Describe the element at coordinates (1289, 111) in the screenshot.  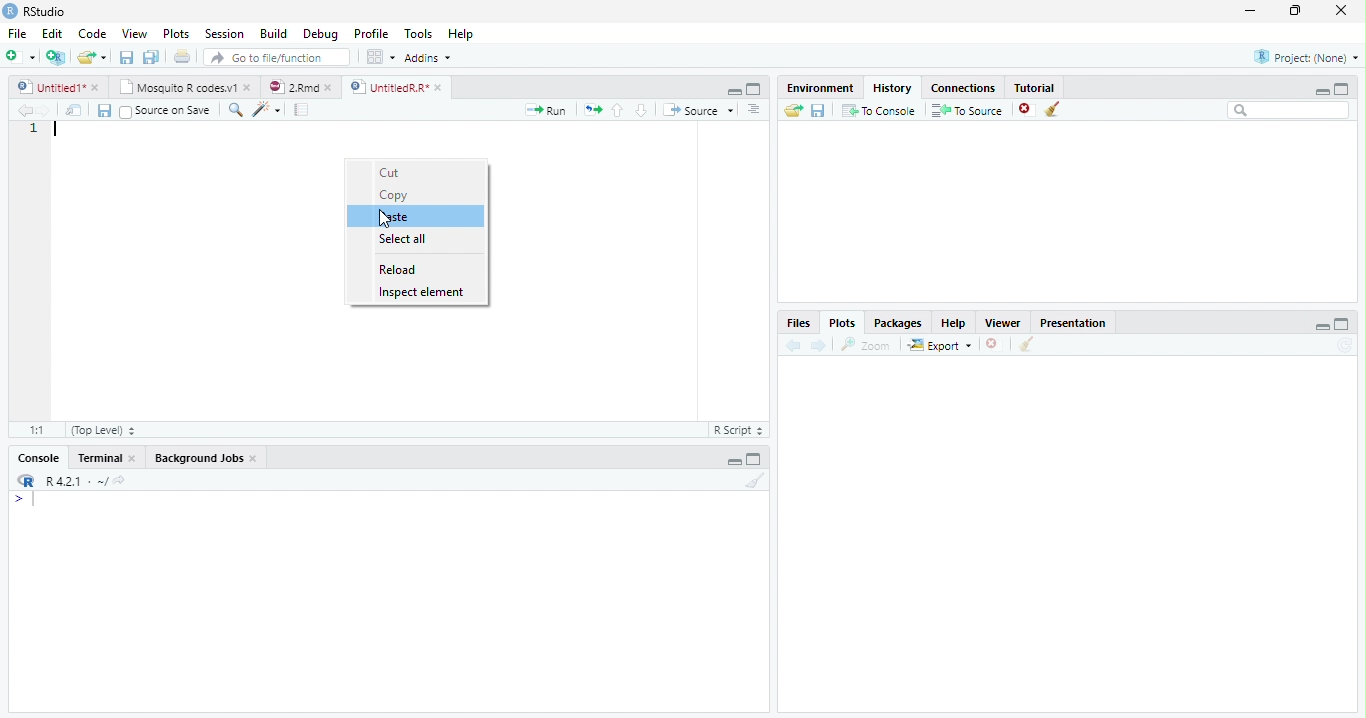
I see `Search` at that location.